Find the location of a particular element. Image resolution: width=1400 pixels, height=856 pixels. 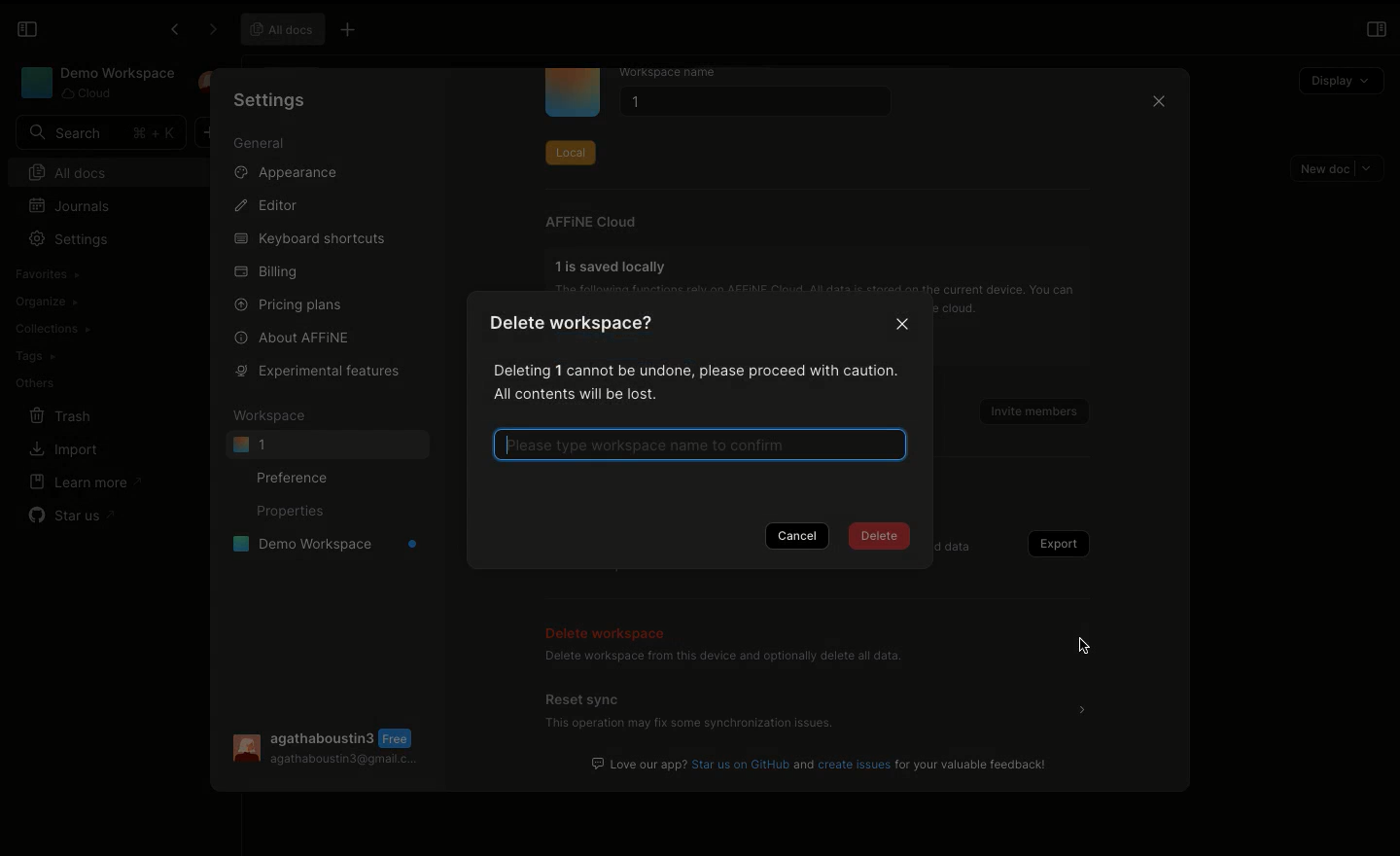

Delete workspace? is located at coordinates (581, 327).